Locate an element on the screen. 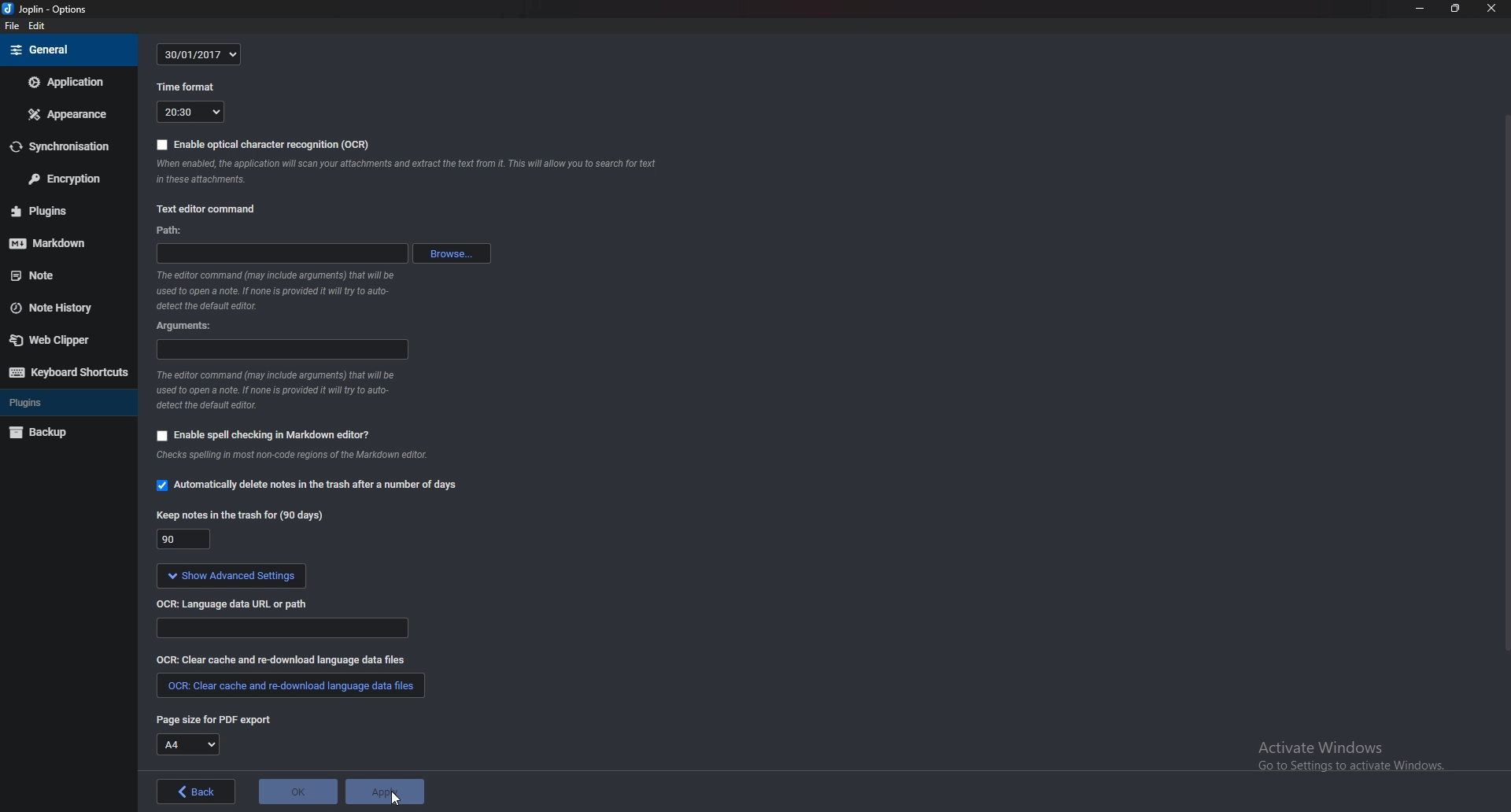  close is located at coordinates (1486, 10).